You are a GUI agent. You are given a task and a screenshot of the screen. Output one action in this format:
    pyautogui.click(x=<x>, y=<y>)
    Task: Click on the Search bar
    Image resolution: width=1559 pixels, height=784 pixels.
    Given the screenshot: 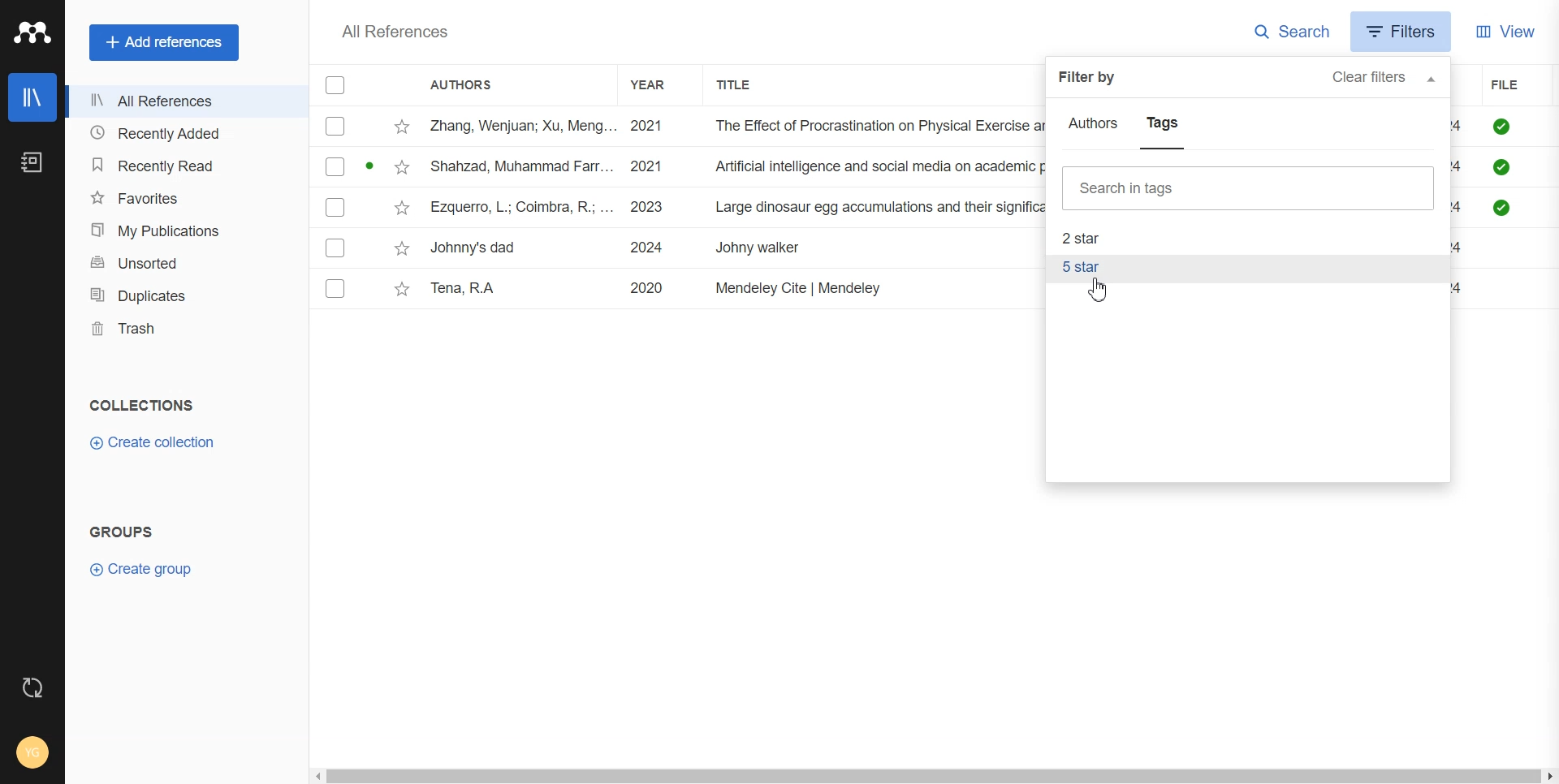 What is the action you would take?
    pyautogui.click(x=1251, y=190)
    